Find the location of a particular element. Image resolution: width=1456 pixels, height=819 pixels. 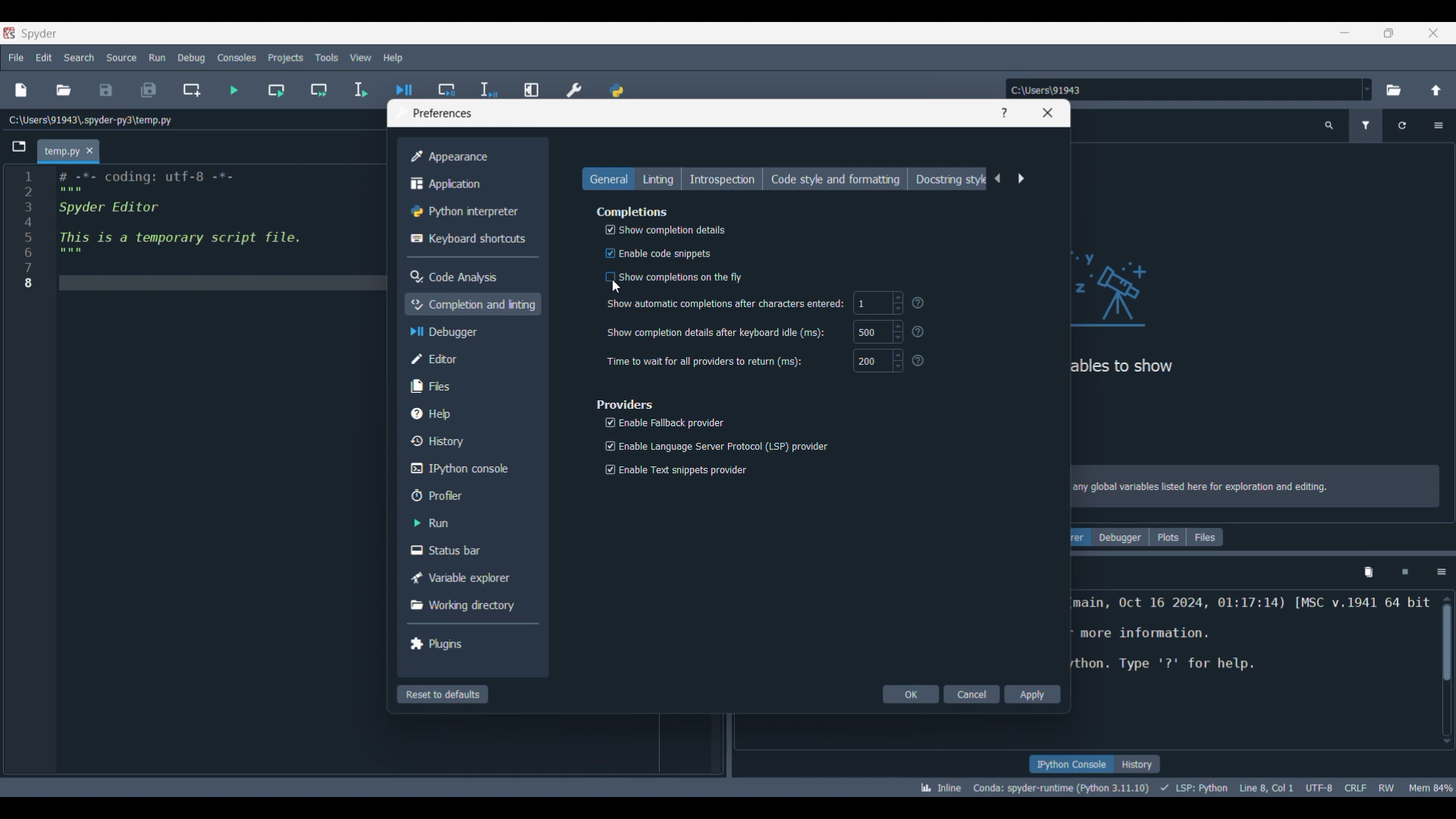

Working directory is located at coordinates (469, 605).